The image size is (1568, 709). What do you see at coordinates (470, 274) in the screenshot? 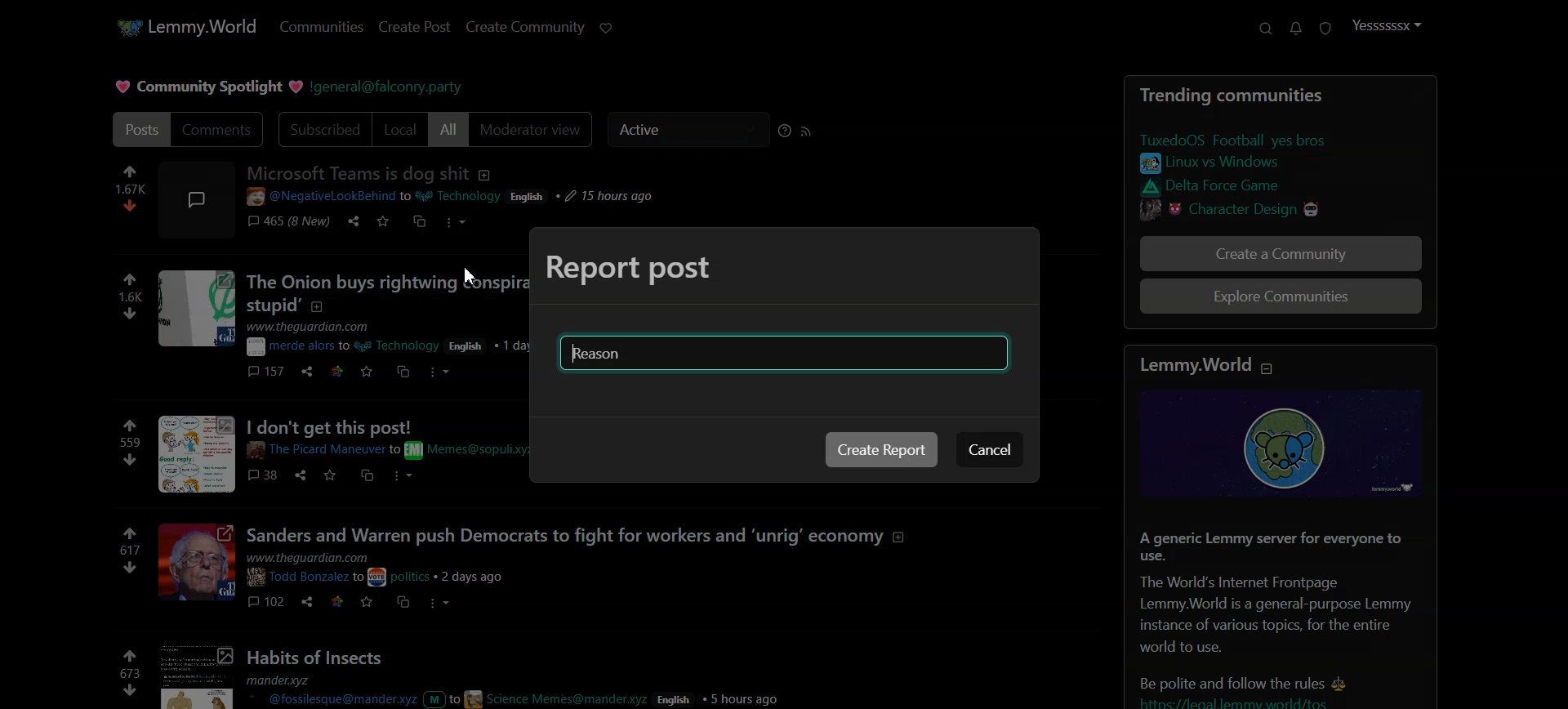
I see `Cursor` at bounding box center [470, 274].